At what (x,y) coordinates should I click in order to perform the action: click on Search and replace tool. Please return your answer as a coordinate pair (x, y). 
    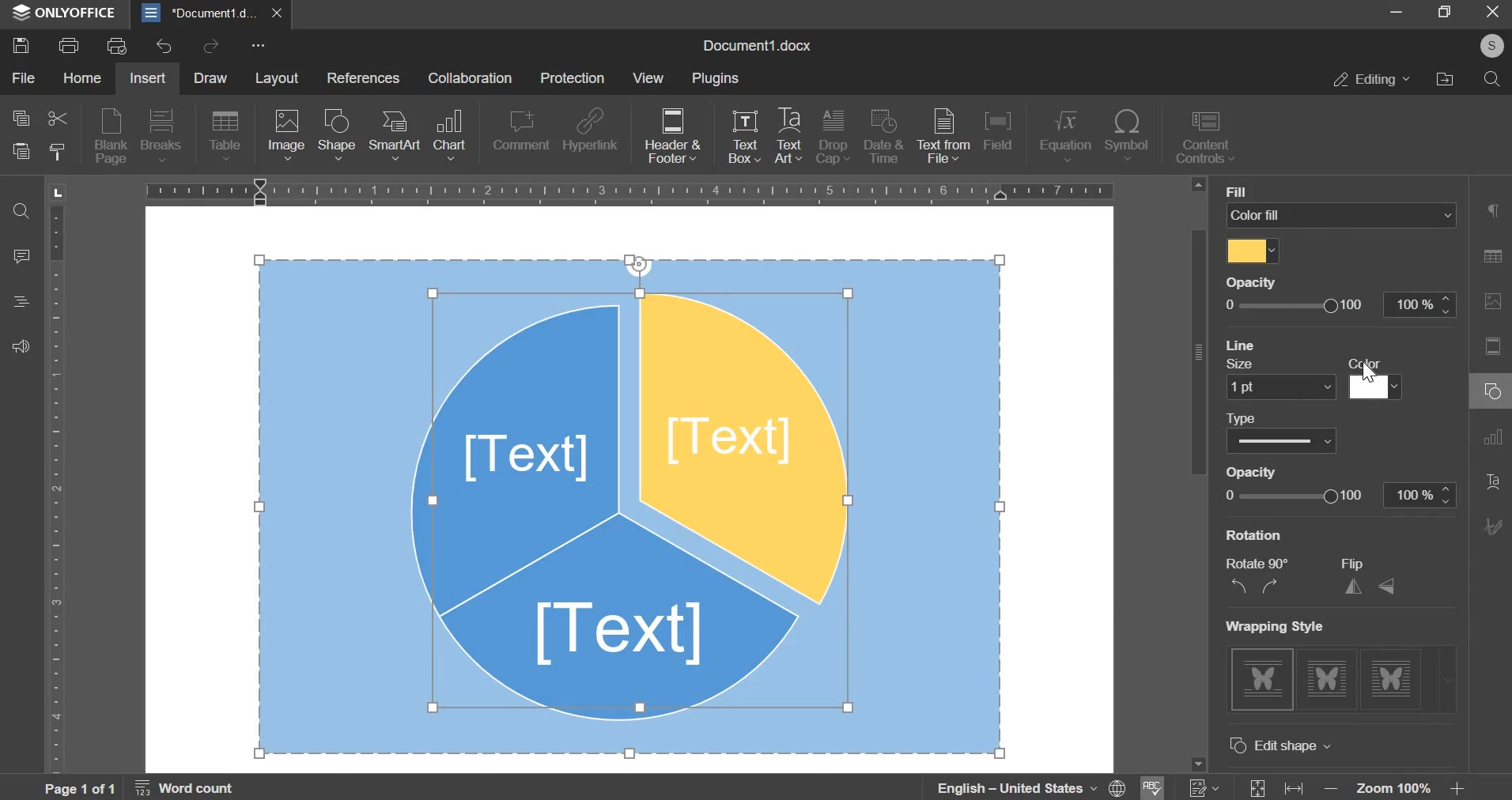
    Looking at the image, I should click on (25, 213).